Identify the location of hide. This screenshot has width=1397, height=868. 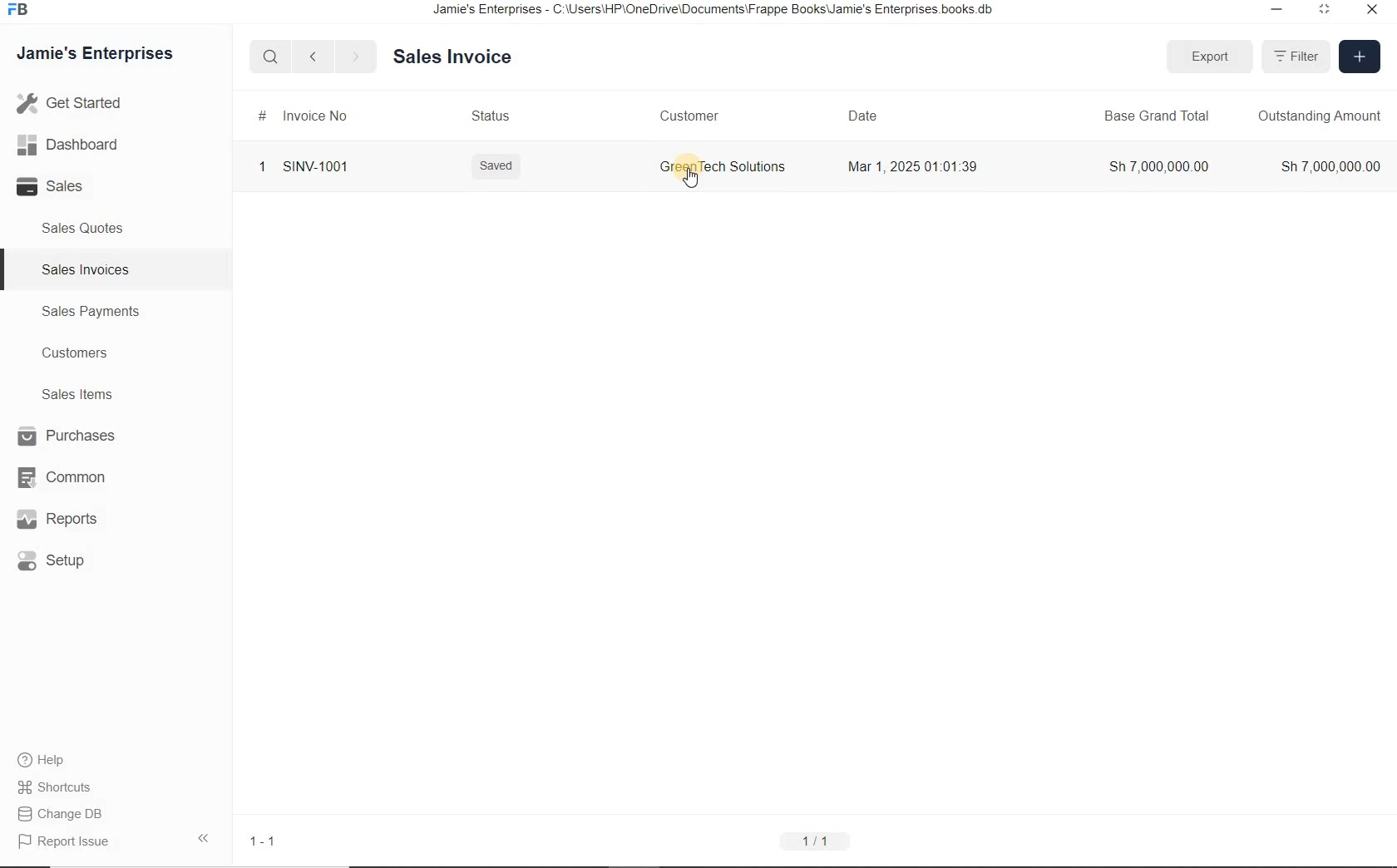
(203, 838).